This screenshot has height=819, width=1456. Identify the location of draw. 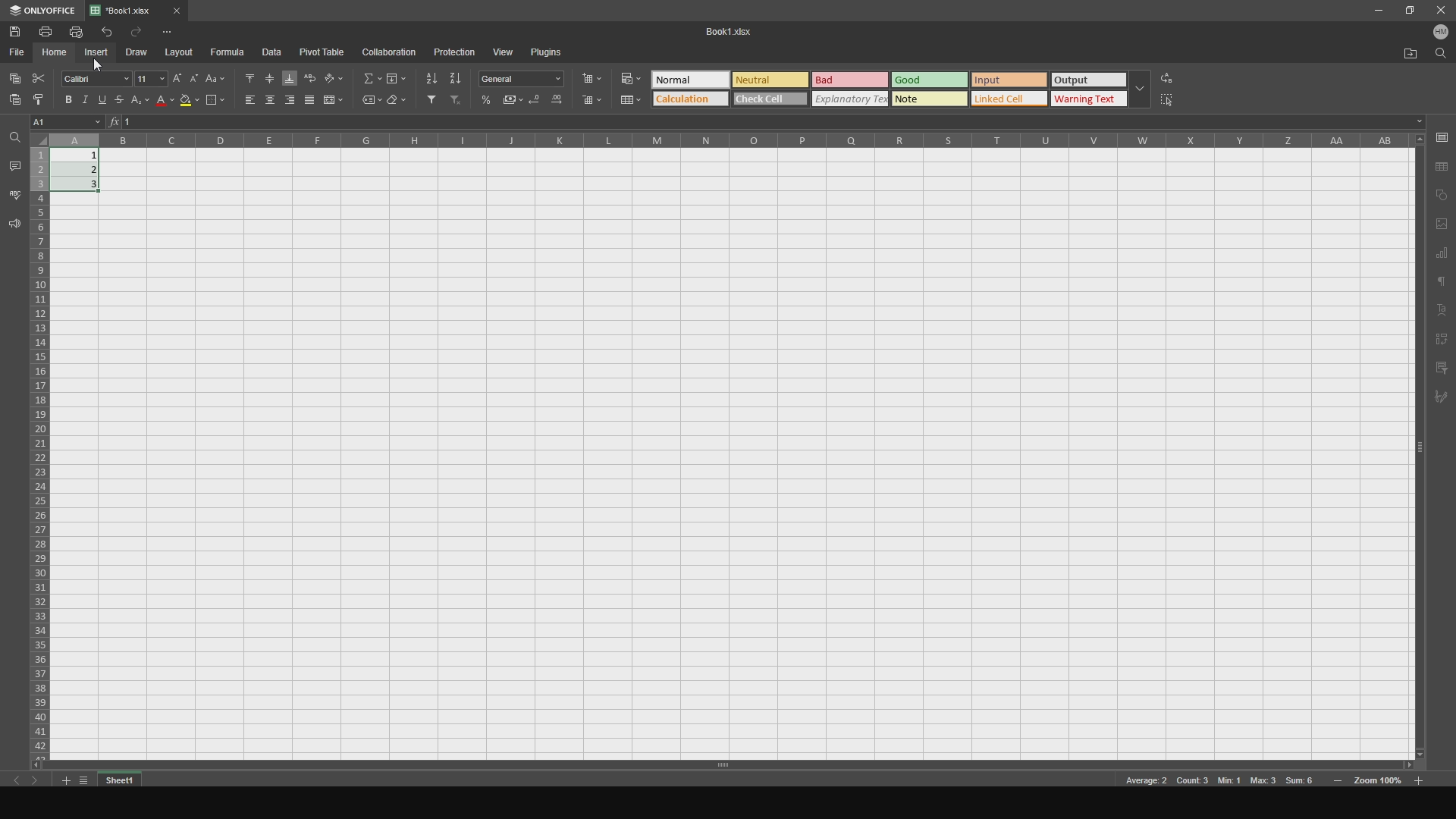
(141, 52).